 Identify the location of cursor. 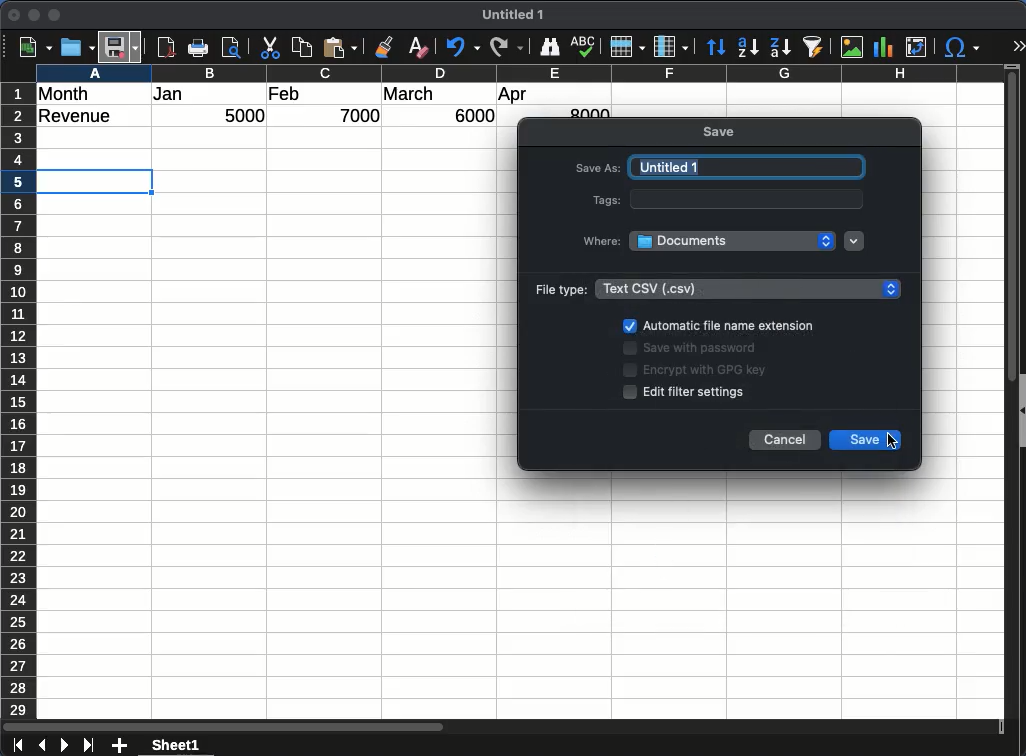
(894, 439).